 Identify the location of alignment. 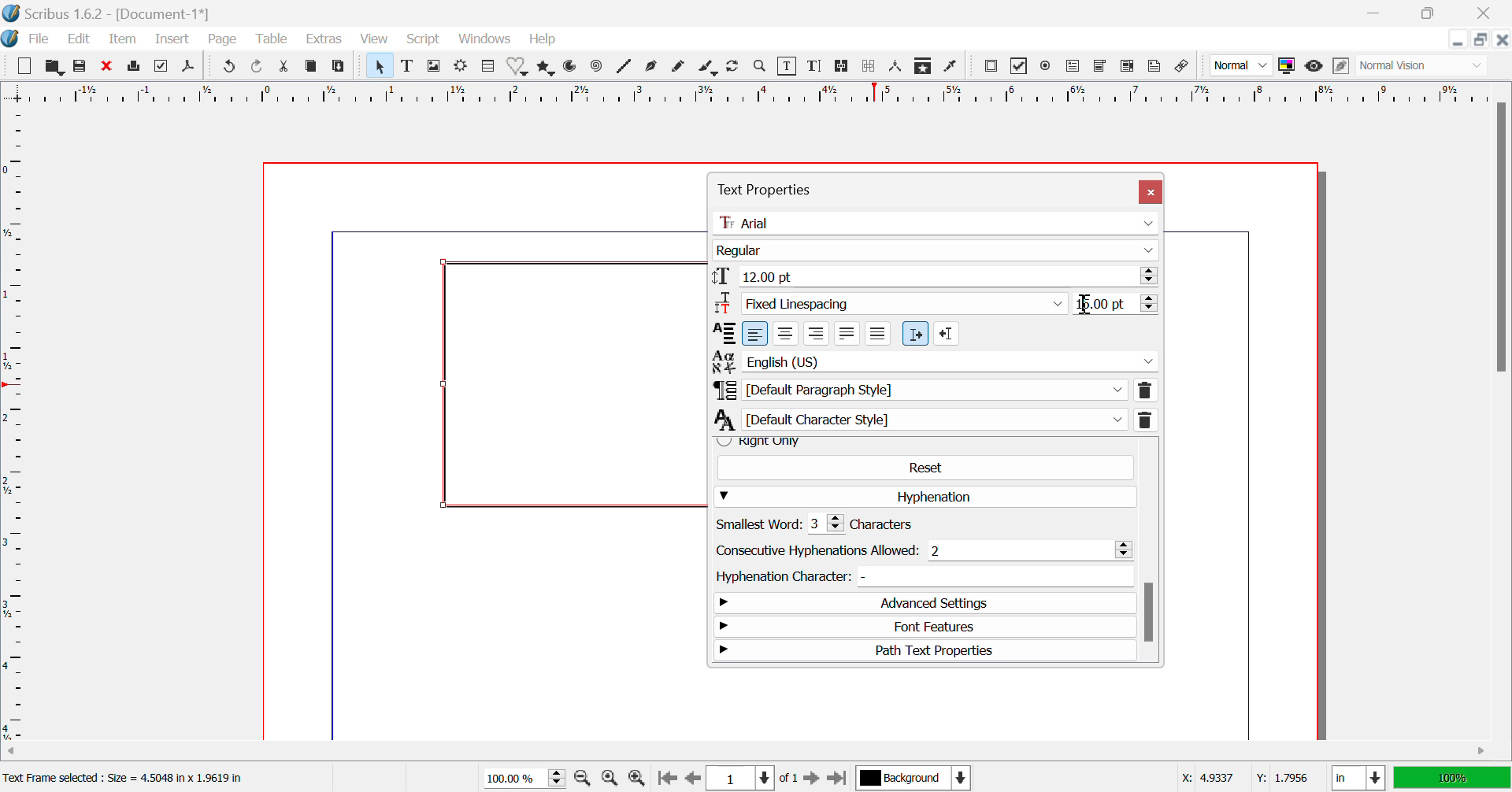
(722, 333).